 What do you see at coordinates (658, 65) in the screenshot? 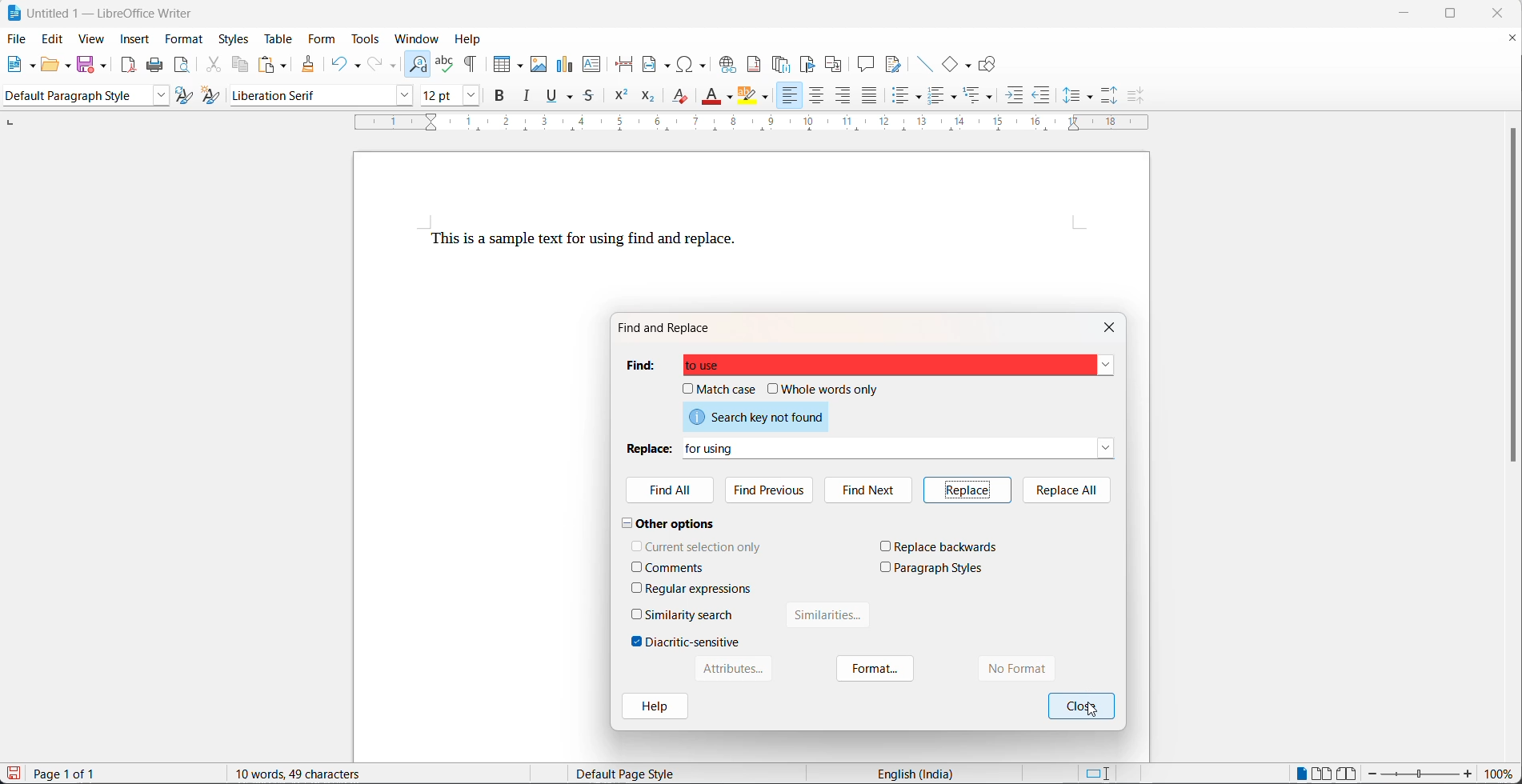
I see `insert field` at bounding box center [658, 65].